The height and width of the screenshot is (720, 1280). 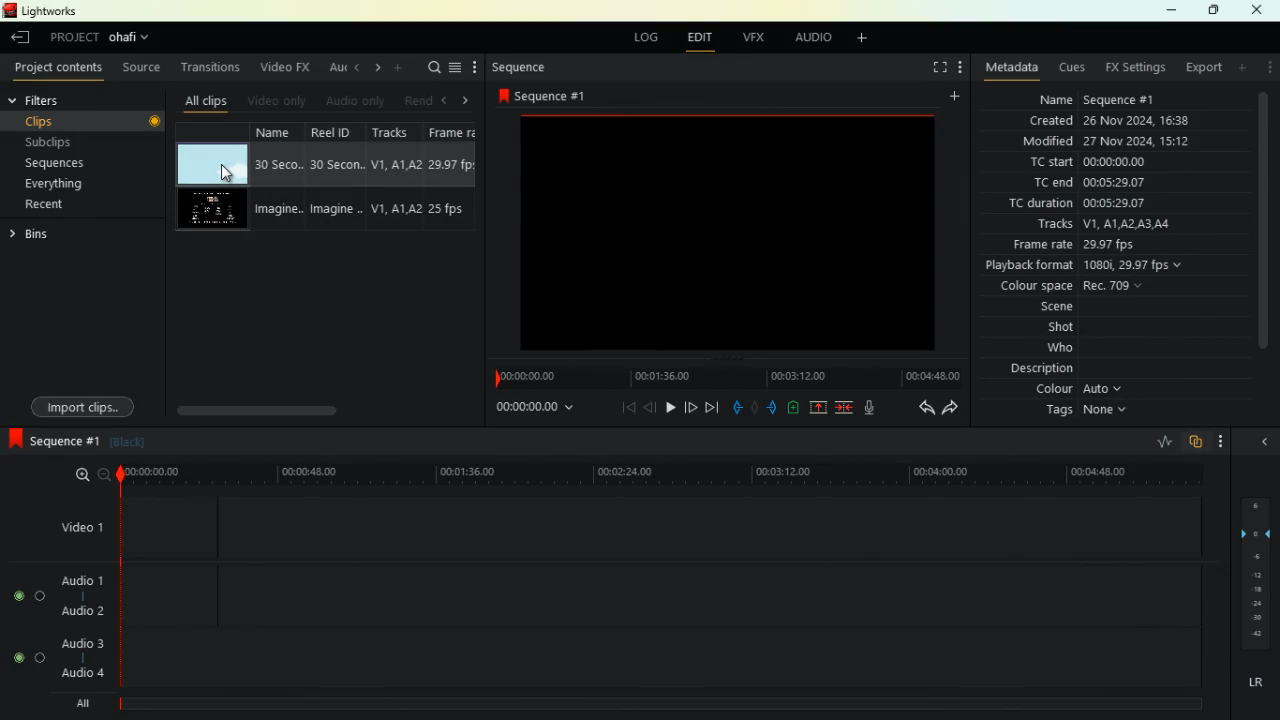 What do you see at coordinates (301, 409) in the screenshot?
I see `scroll bar` at bounding box center [301, 409].